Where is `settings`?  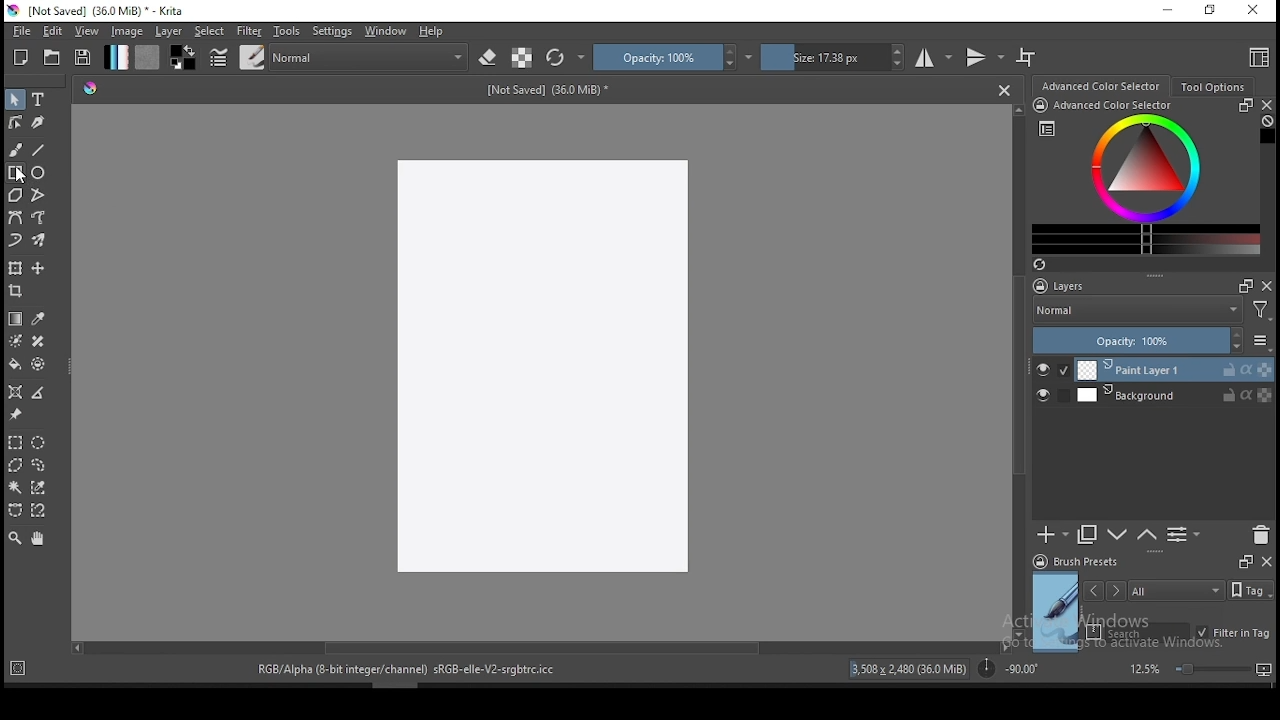 settings is located at coordinates (332, 31).